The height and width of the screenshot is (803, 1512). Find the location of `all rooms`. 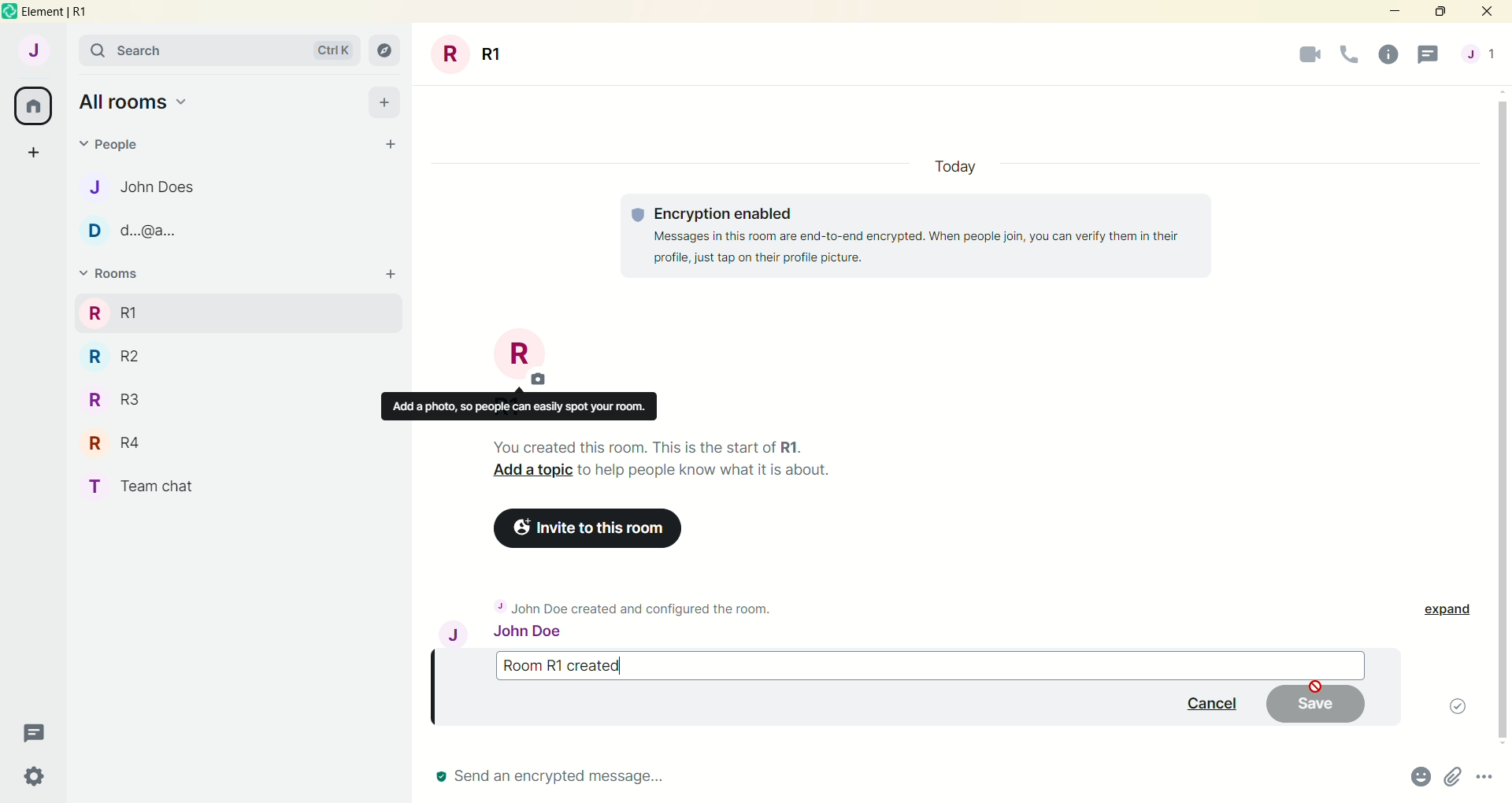

all rooms is located at coordinates (143, 102).